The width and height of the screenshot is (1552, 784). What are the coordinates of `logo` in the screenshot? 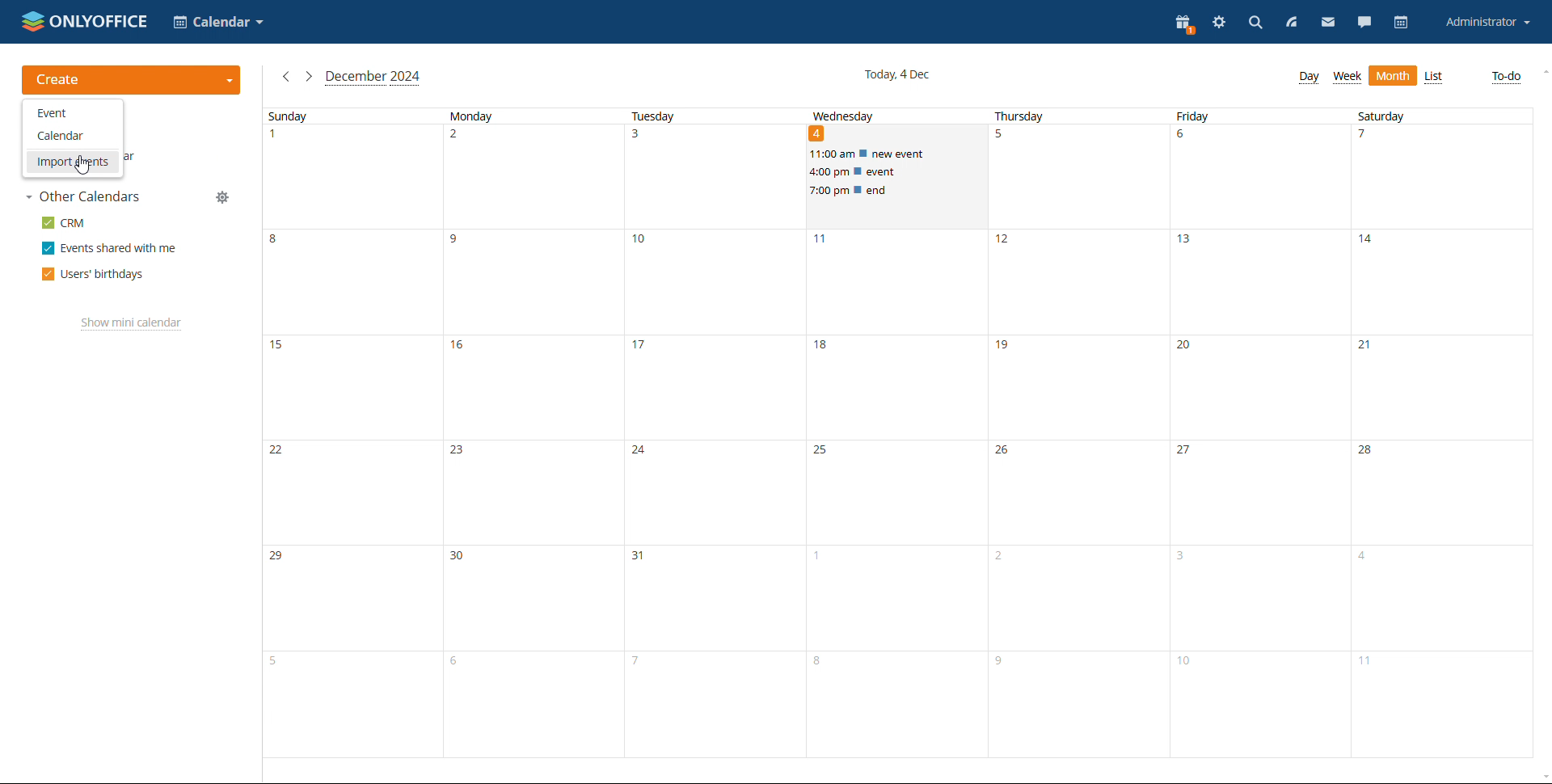 It's located at (82, 22).